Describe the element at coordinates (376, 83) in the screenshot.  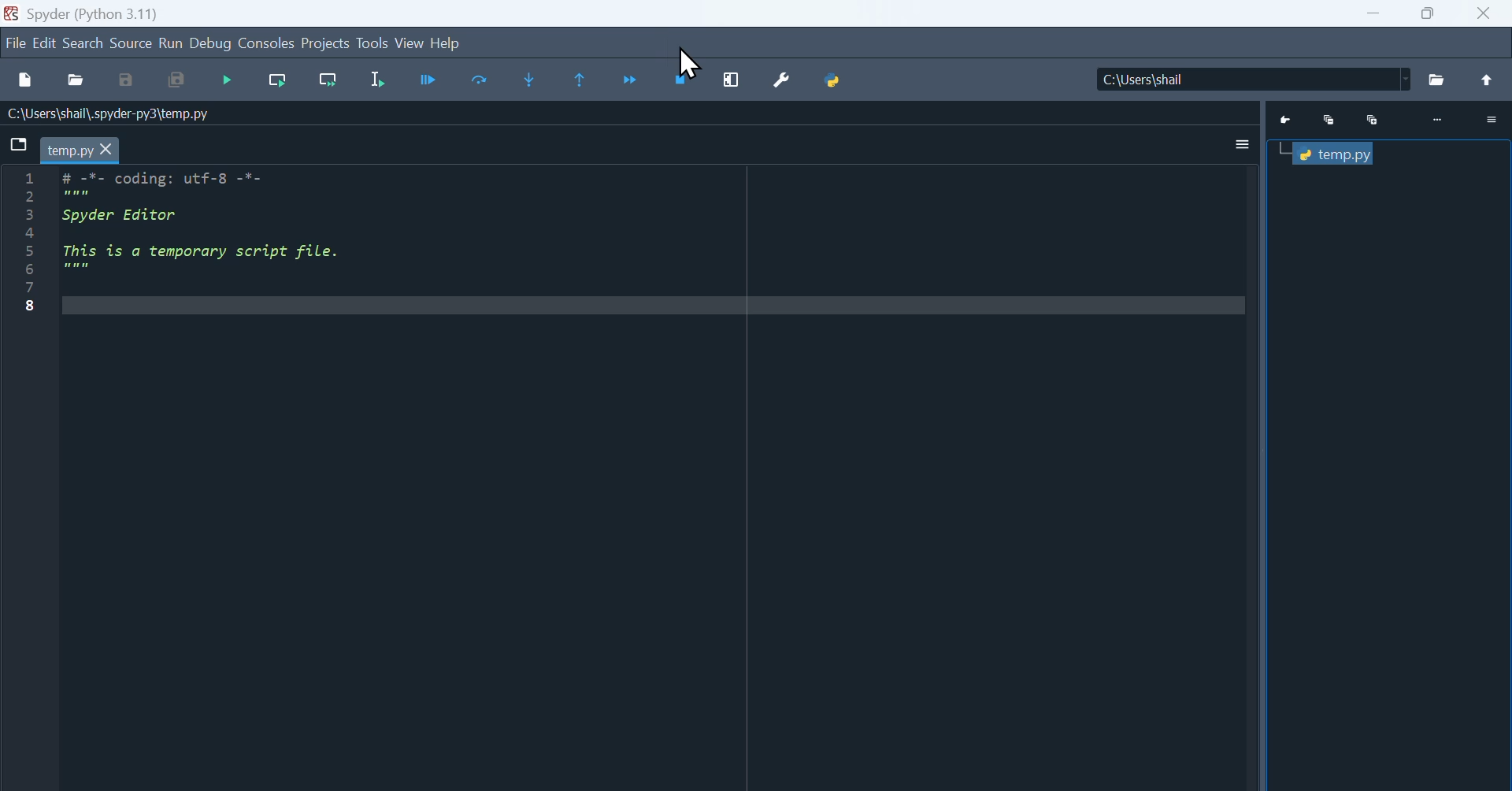
I see `Run selection` at that location.